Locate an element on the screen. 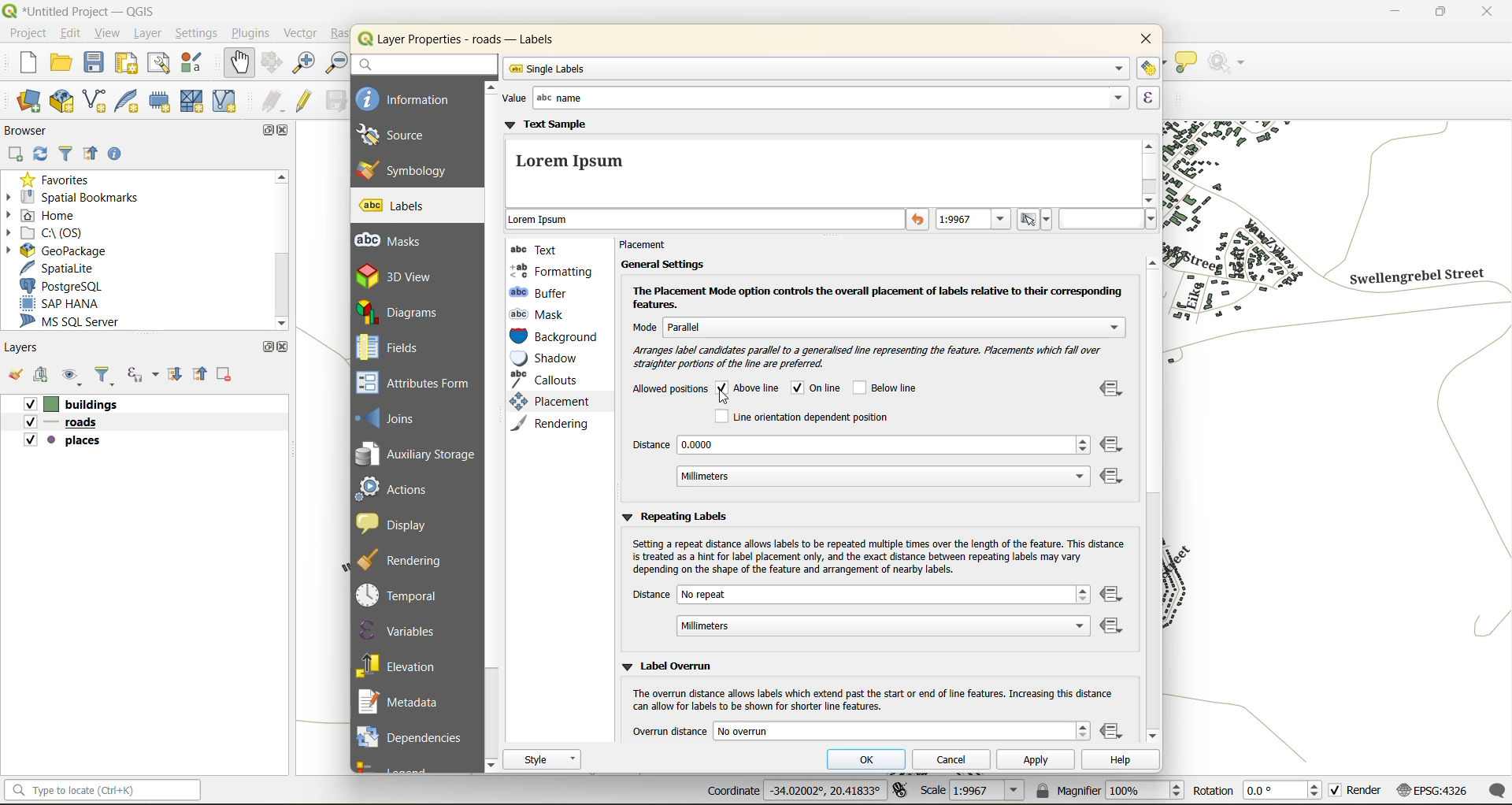  distance is located at coordinates (860, 612).